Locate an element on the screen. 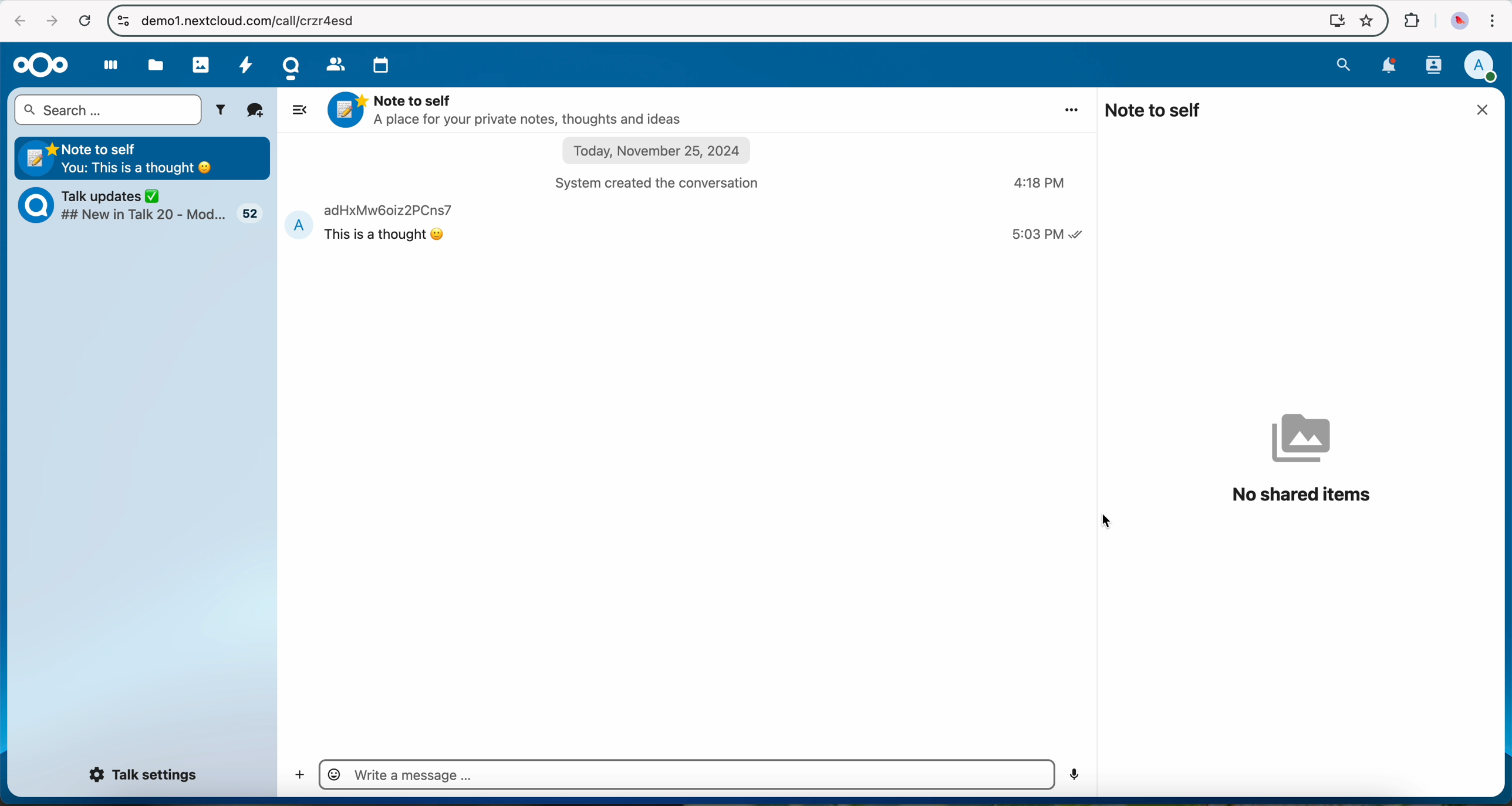  refresh the page is located at coordinates (84, 20).